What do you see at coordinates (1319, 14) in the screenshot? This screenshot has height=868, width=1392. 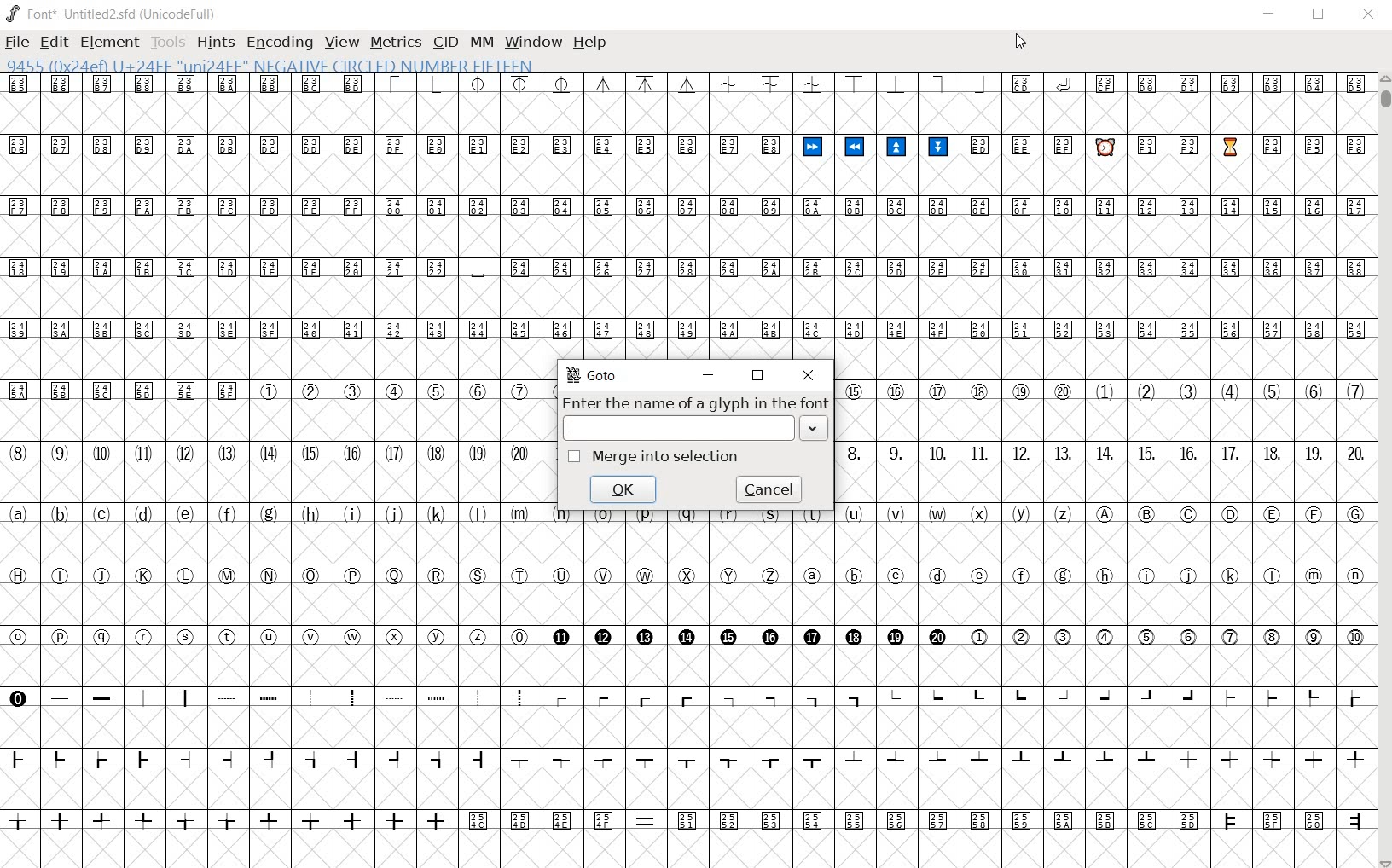 I see `RESTORE` at bounding box center [1319, 14].